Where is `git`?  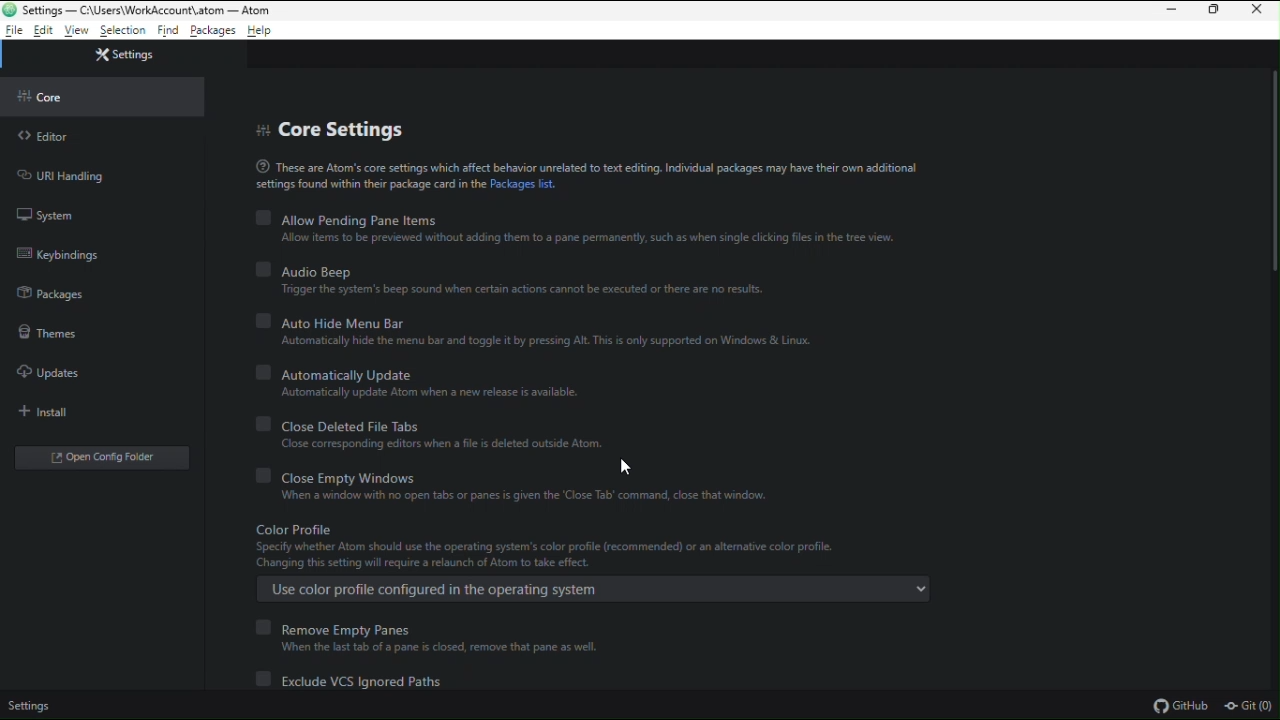 git is located at coordinates (1250, 707).